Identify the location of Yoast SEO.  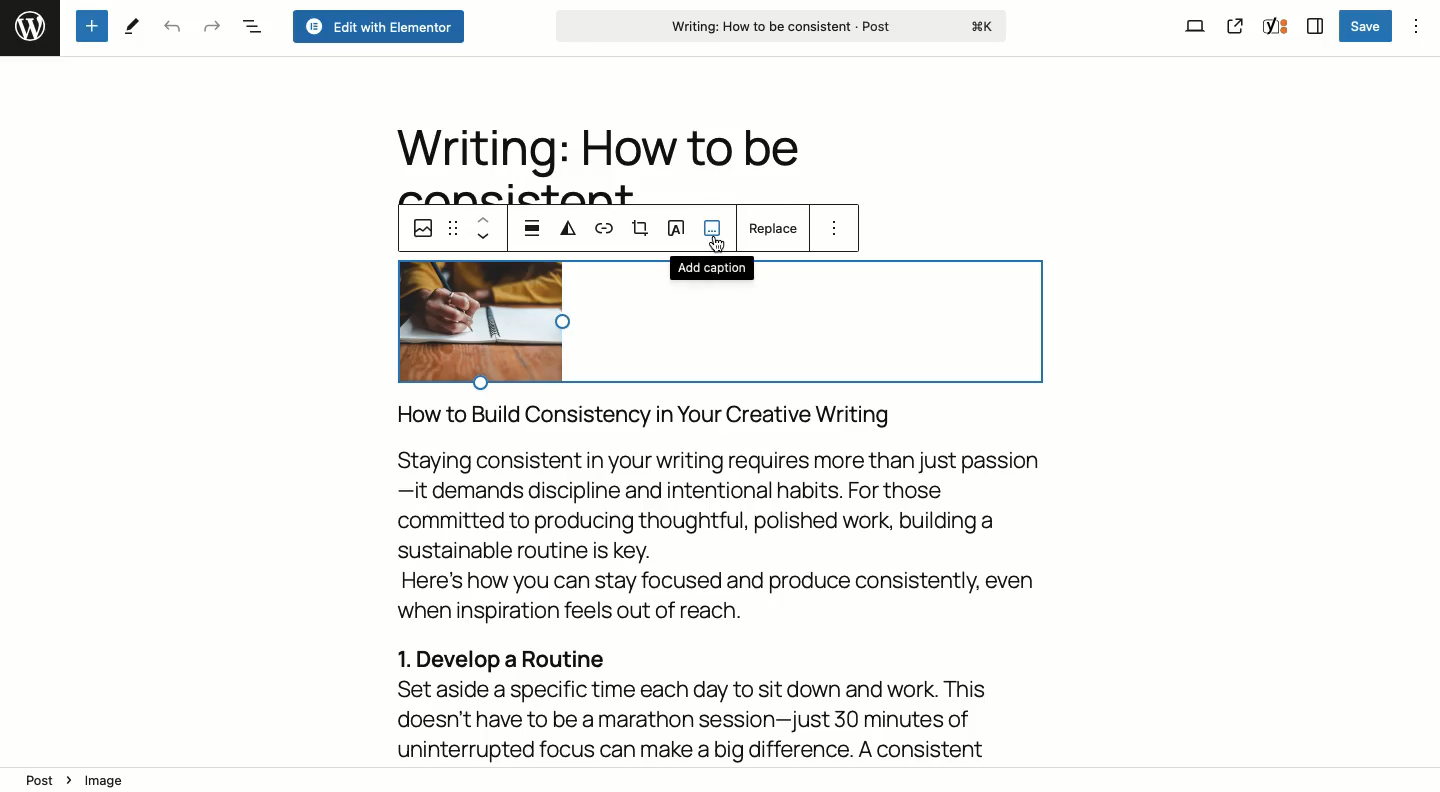
(1274, 28).